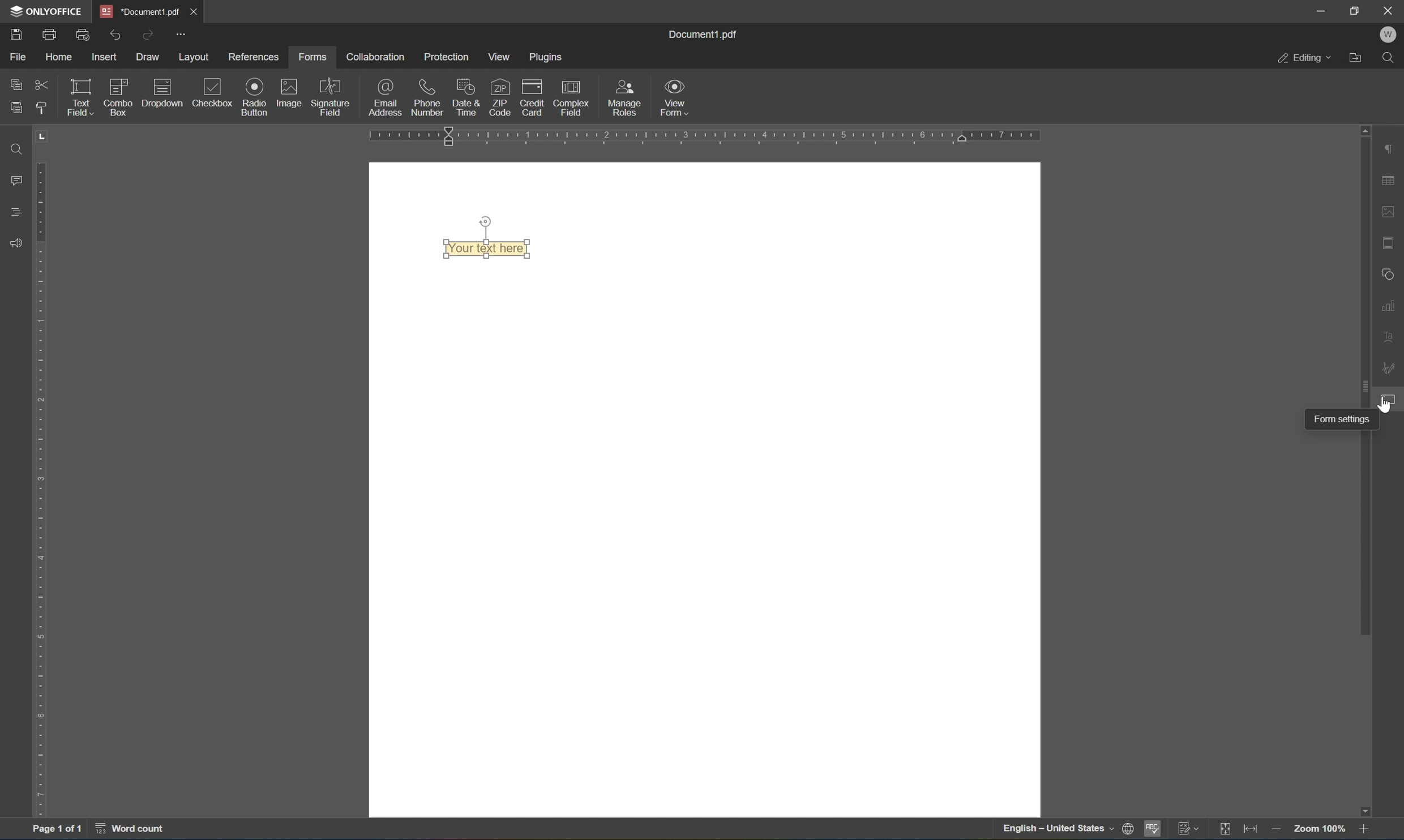  What do you see at coordinates (13, 84) in the screenshot?
I see `copy` at bounding box center [13, 84].